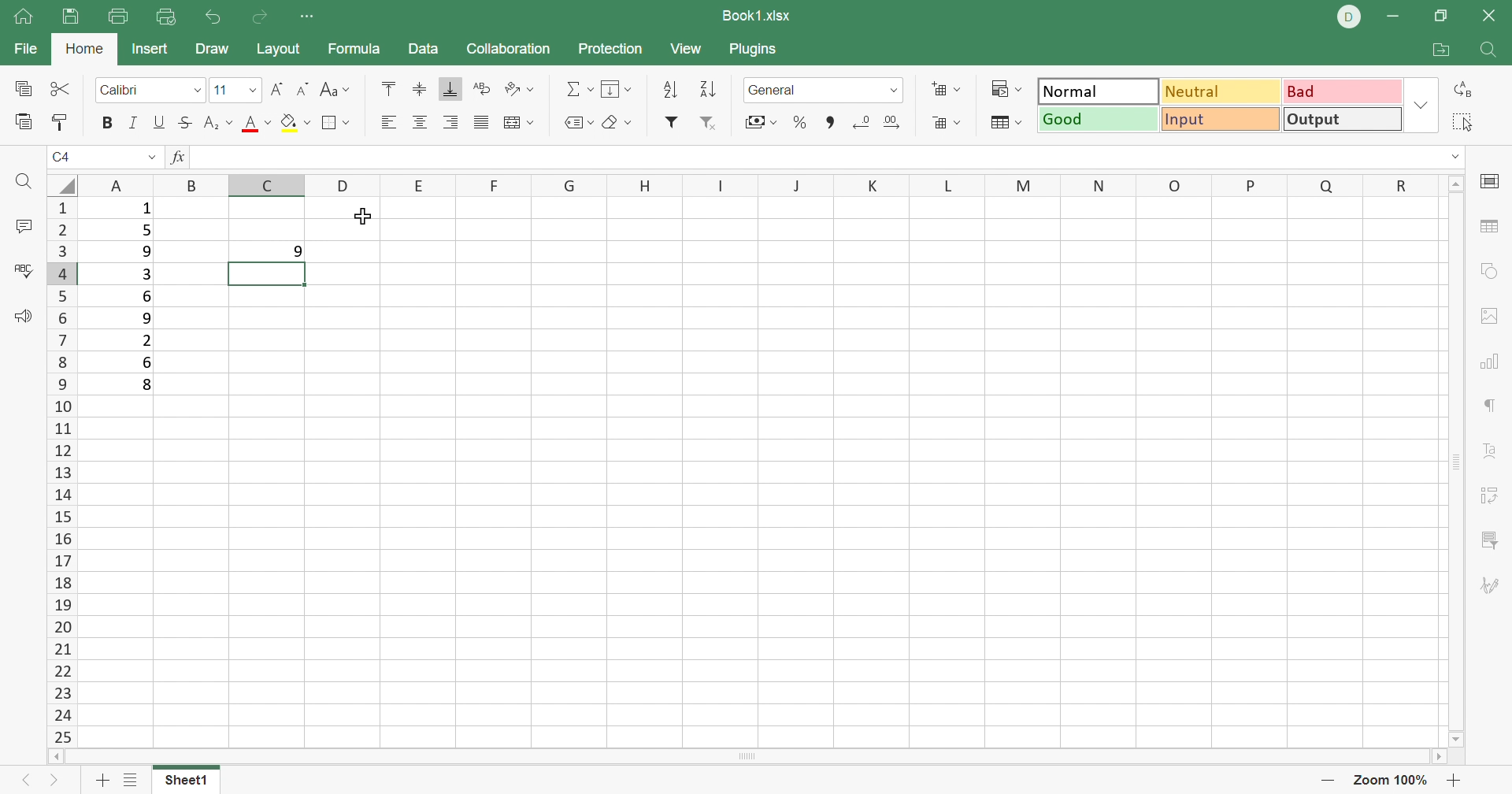 Image resolution: width=1512 pixels, height=794 pixels. I want to click on Copy, so click(23, 89).